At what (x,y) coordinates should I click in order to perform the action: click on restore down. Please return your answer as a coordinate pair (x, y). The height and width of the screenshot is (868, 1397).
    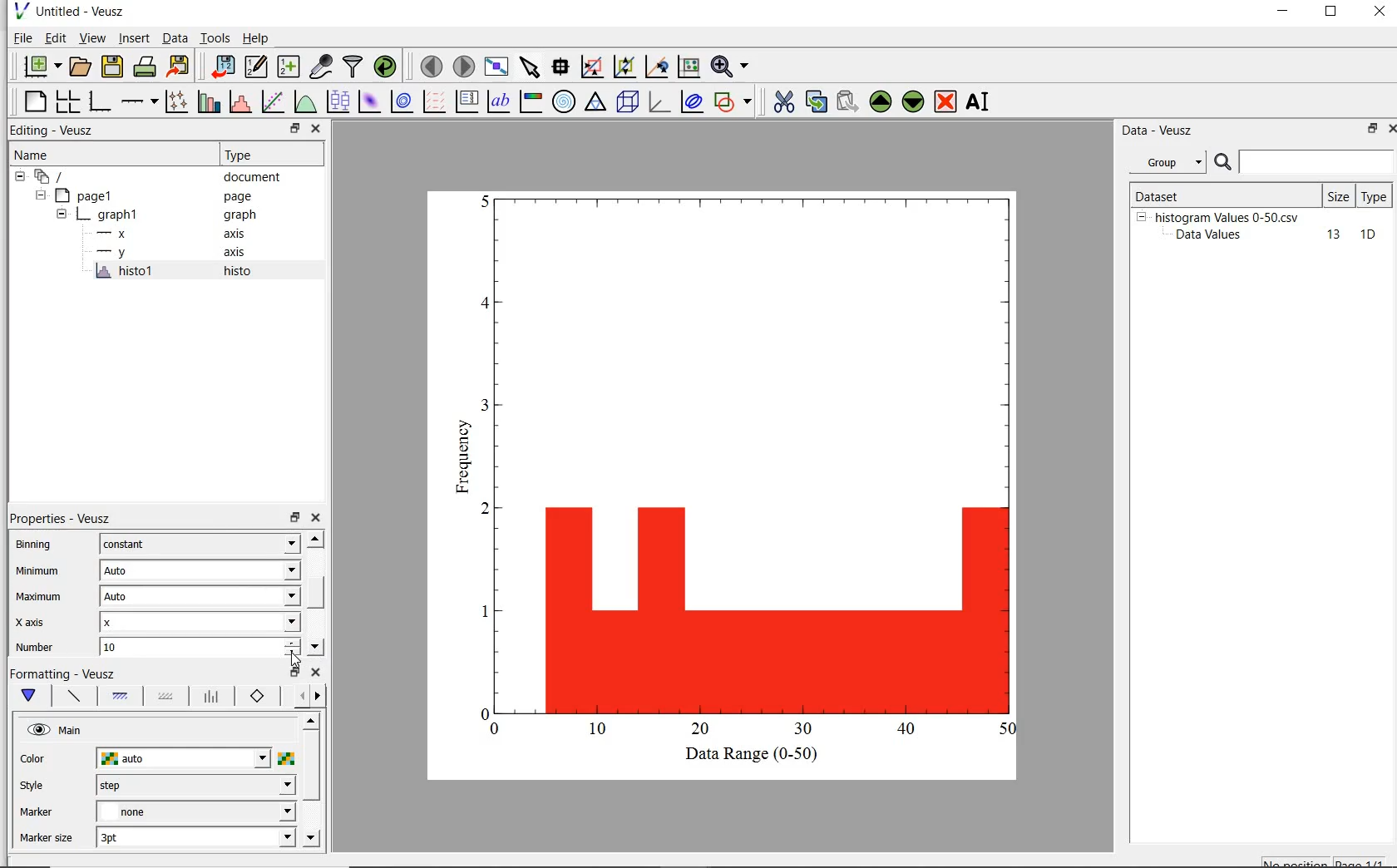
    Looking at the image, I should click on (294, 129).